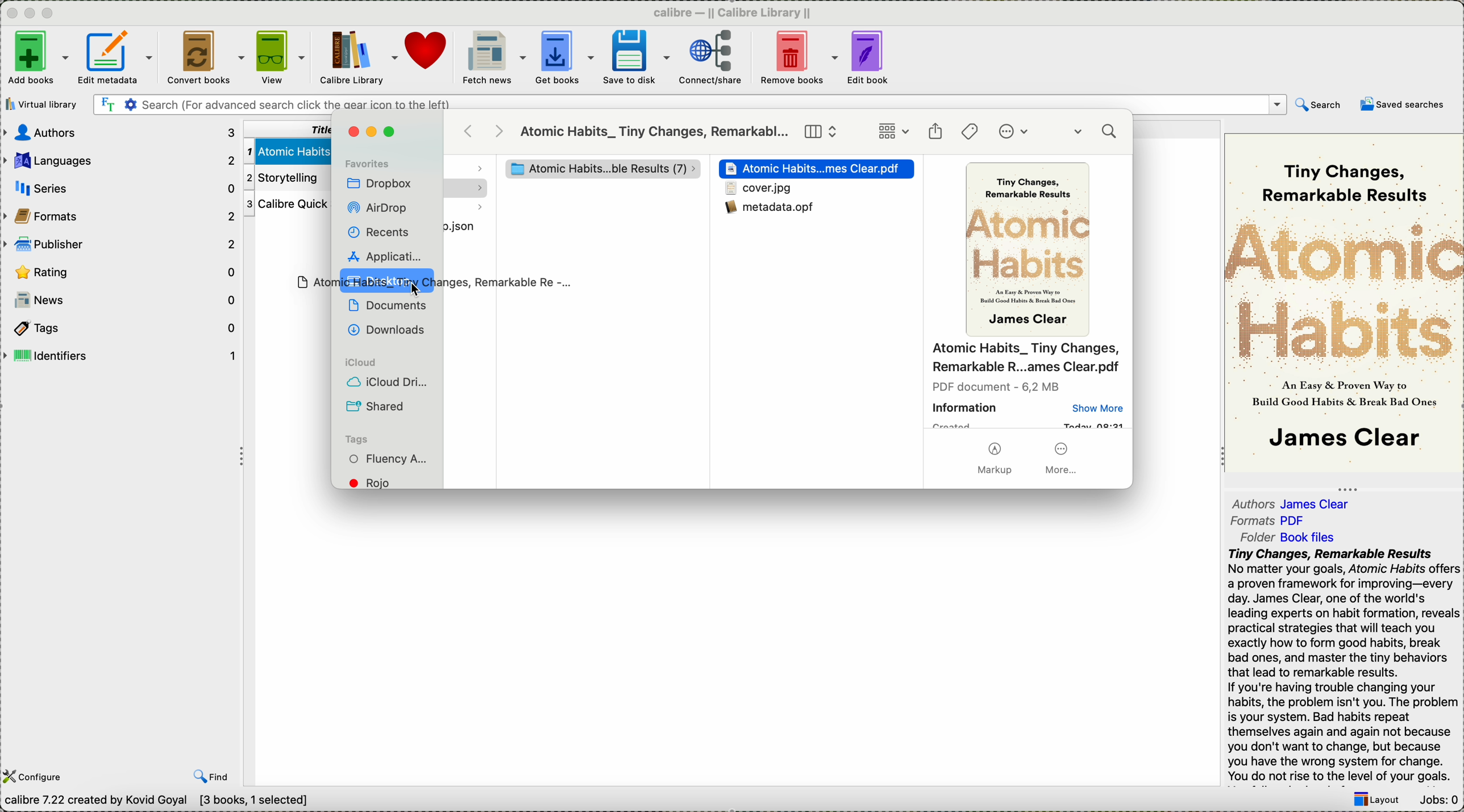 This screenshot has width=1464, height=812. I want to click on configure, so click(36, 777).